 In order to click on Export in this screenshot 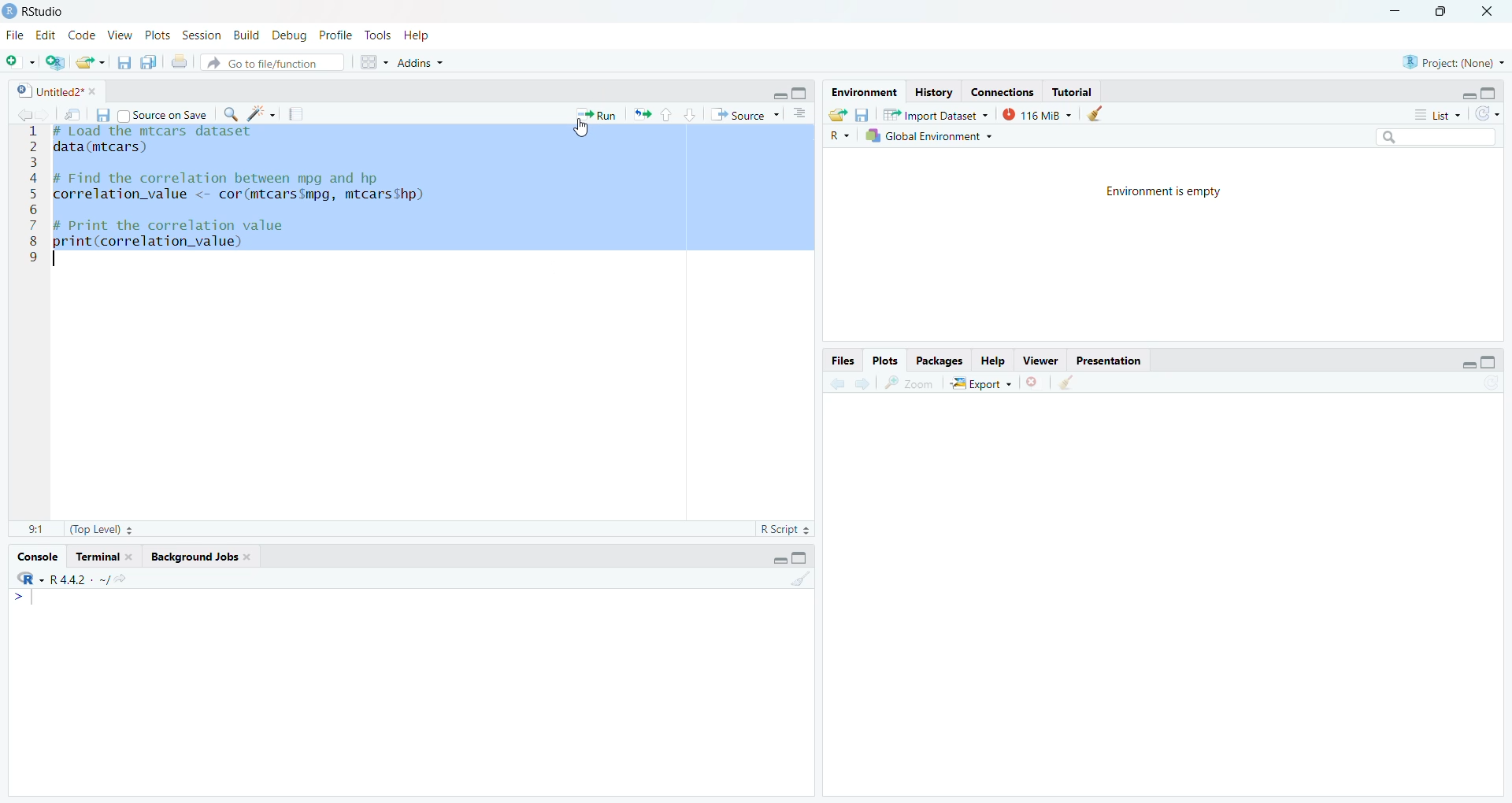, I will do `click(982, 381)`.